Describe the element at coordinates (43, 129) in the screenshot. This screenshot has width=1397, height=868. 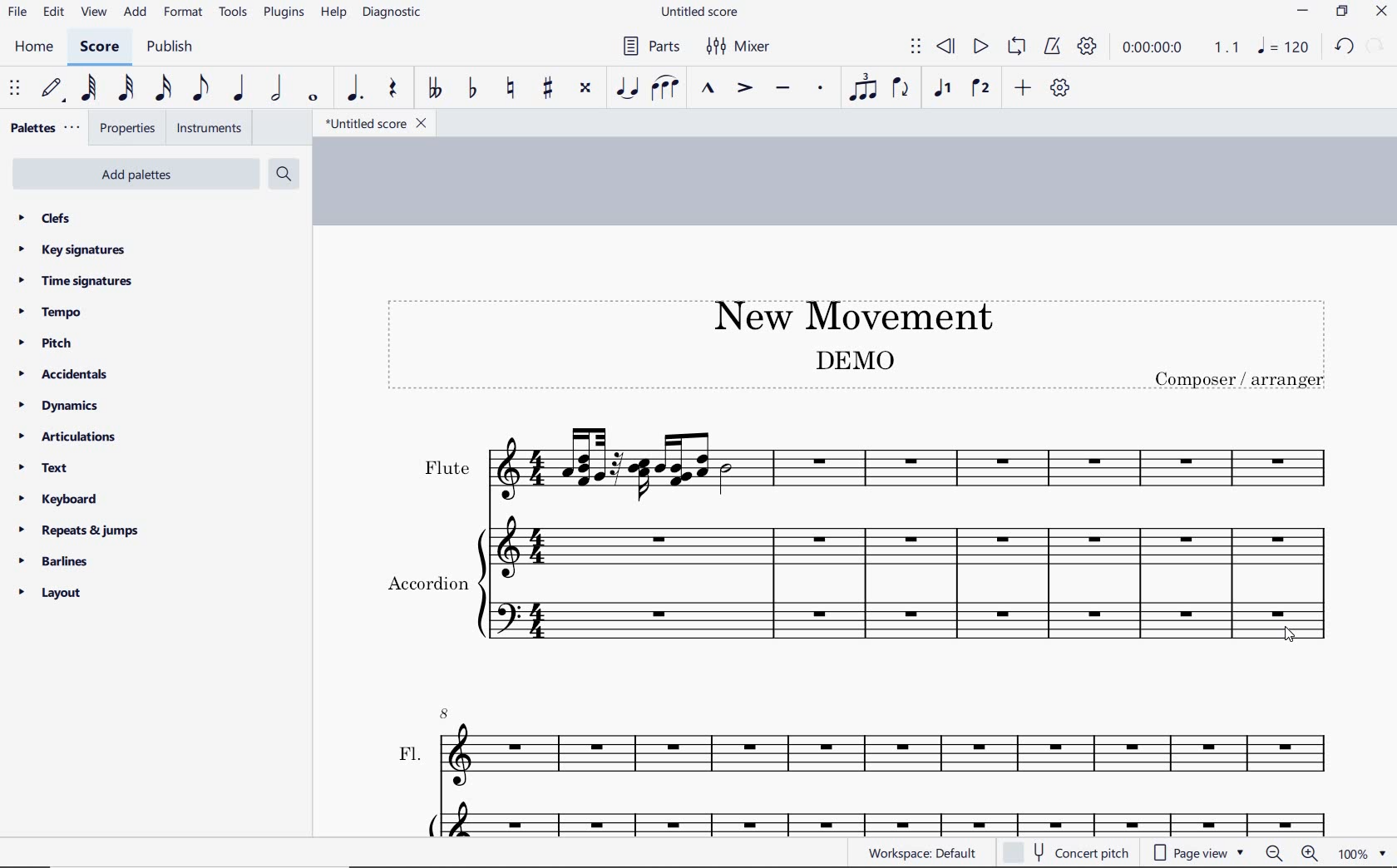
I see `palettes` at that location.